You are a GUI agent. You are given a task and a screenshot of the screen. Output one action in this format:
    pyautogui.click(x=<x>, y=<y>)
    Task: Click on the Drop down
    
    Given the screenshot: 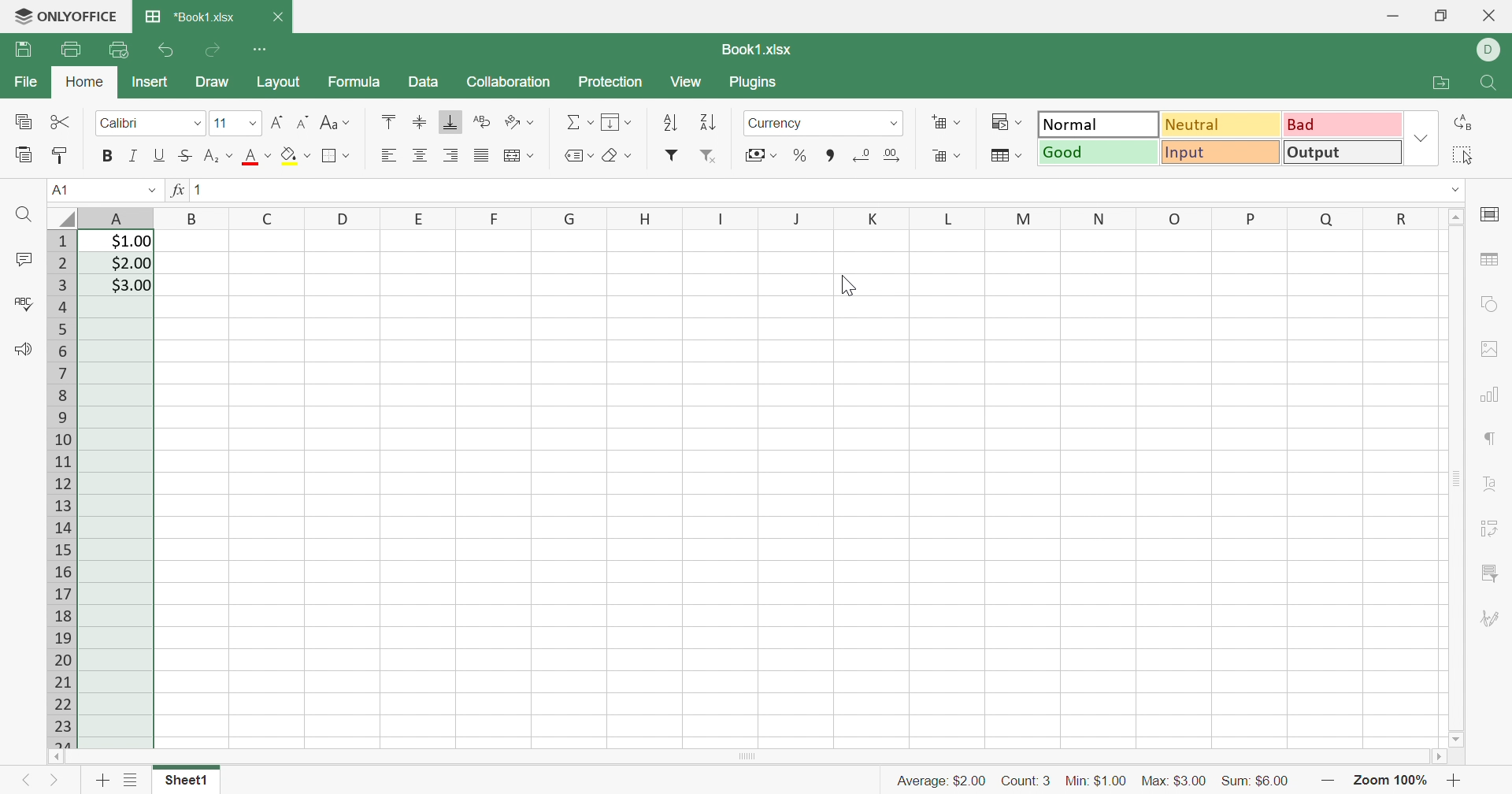 What is the action you would take?
    pyautogui.click(x=150, y=187)
    